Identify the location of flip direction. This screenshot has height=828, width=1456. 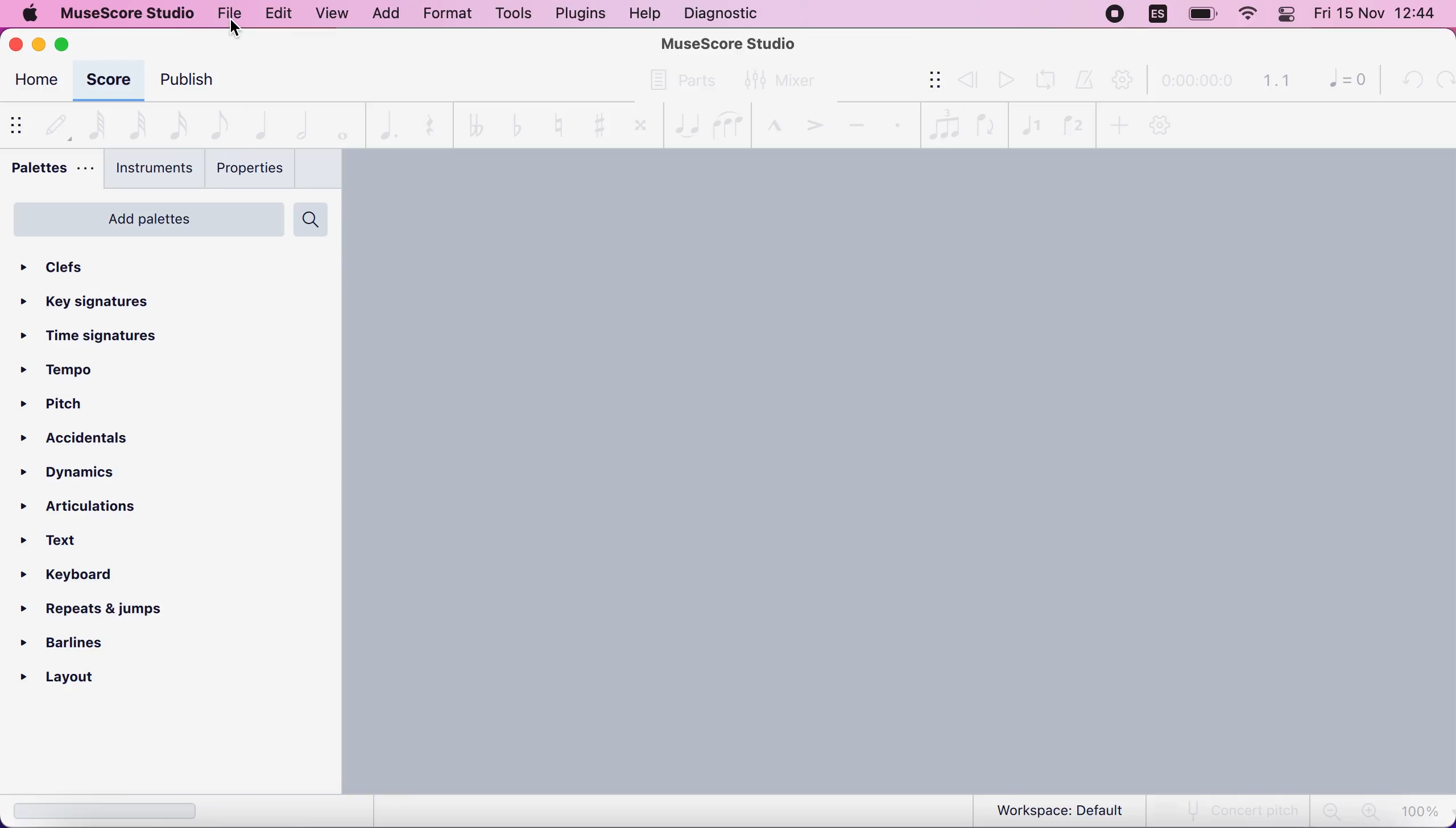
(986, 123).